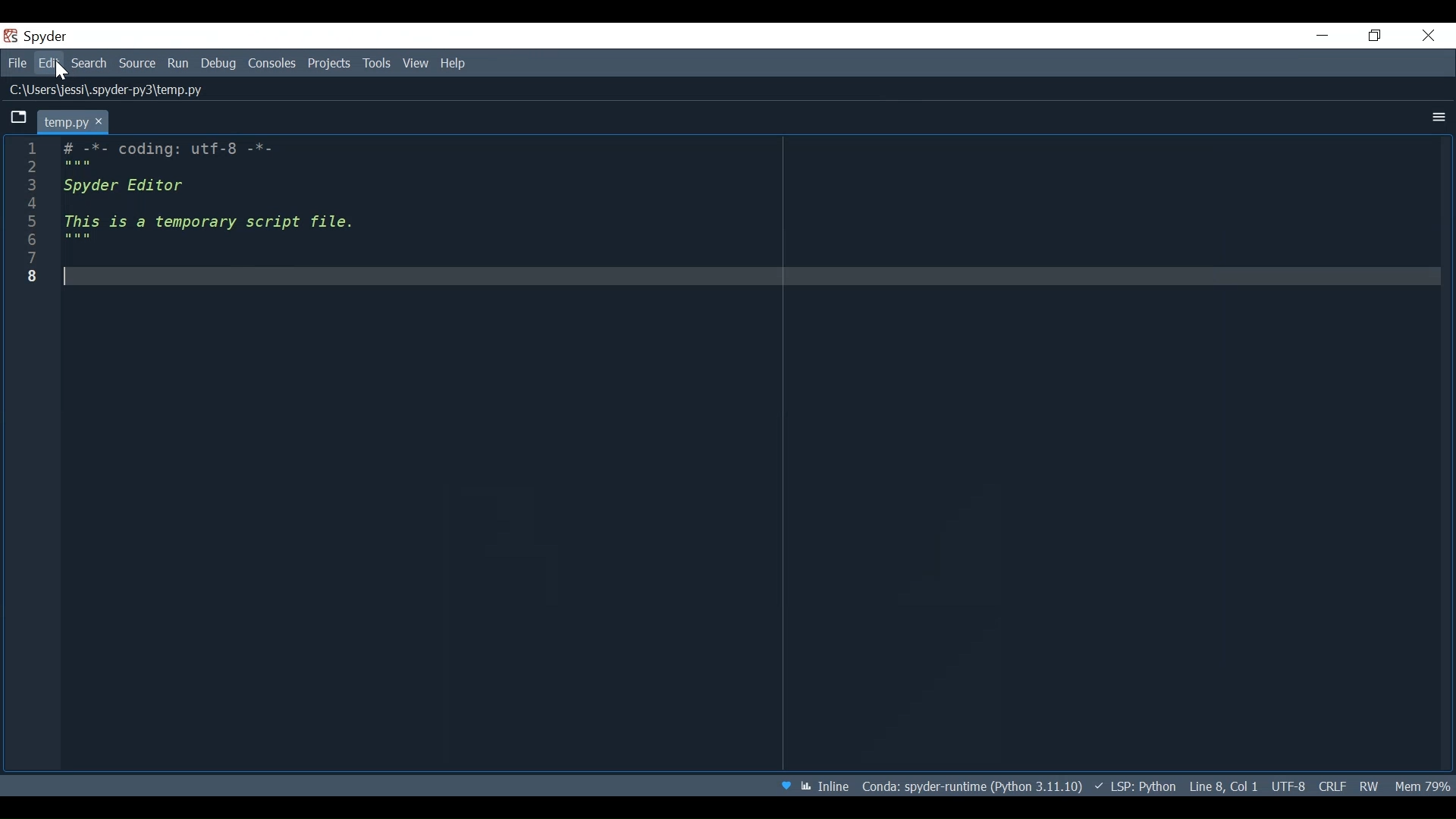 Image resolution: width=1456 pixels, height=819 pixels. Describe the element at coordinates (52, 64) in the screenshot. I see `Edit` at that location.